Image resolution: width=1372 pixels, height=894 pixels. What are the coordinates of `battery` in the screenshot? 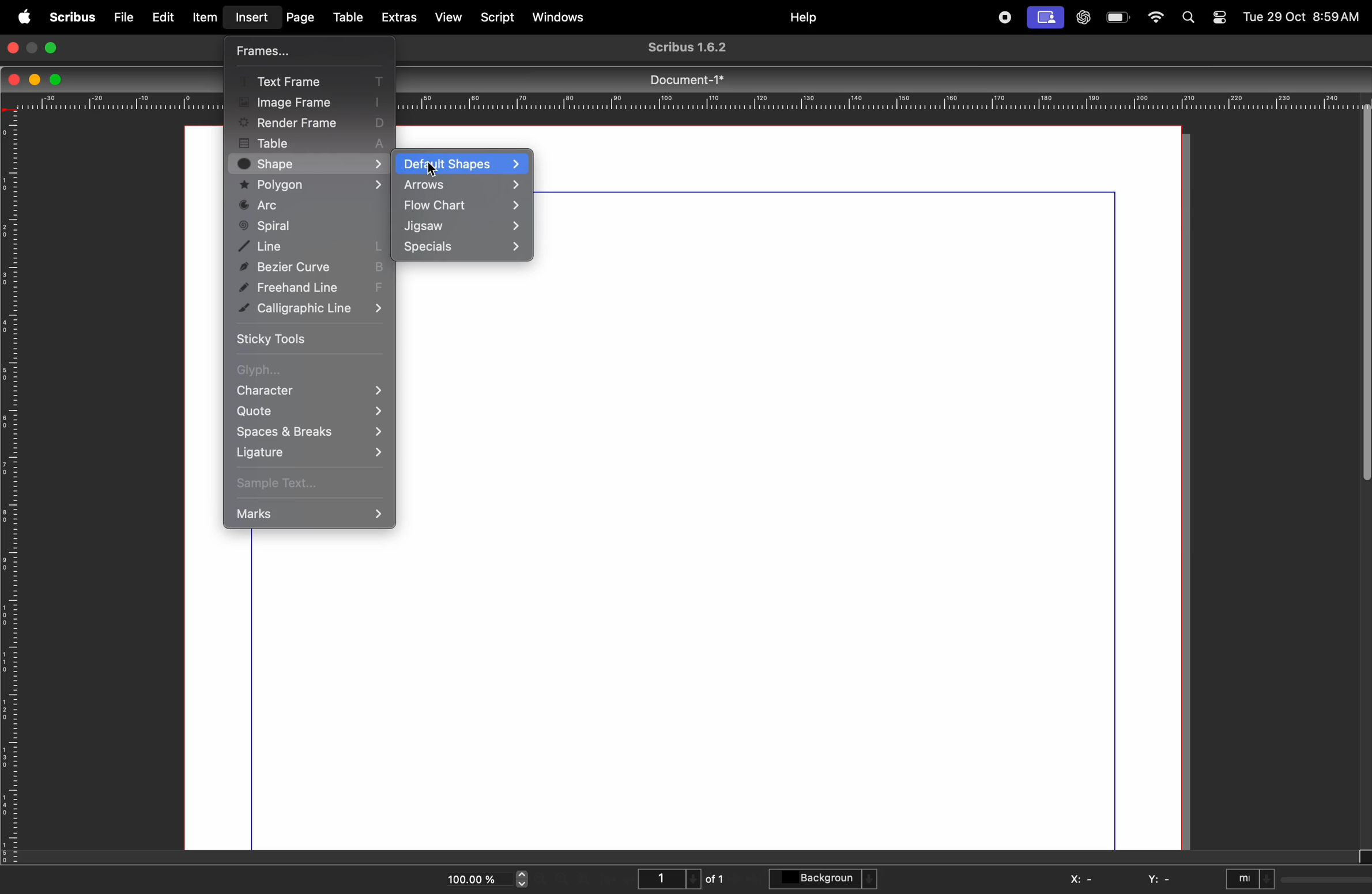 It's located at (1118, 18).